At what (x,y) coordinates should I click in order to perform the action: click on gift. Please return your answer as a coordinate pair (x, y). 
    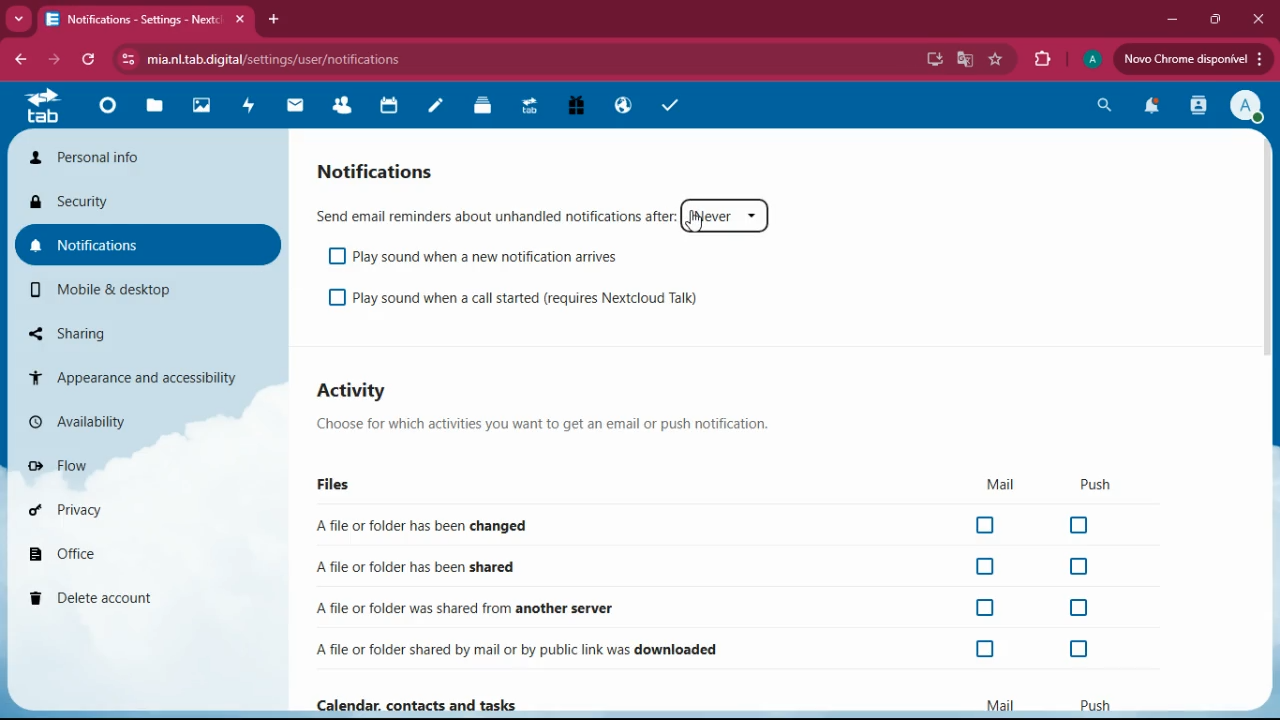
    Looking at the image, I should click on (577, 106).